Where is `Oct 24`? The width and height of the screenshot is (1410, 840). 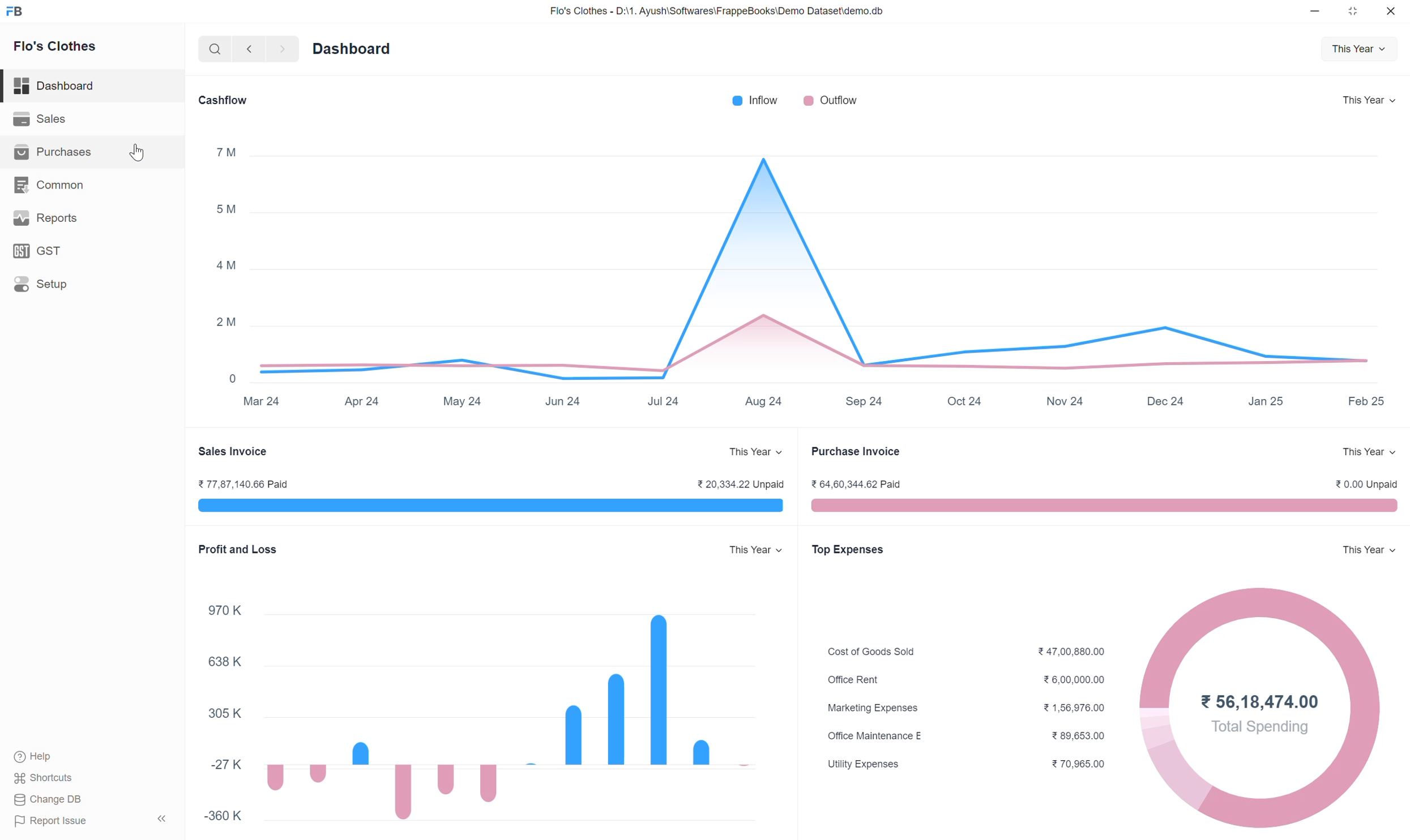 Oct 24 is located at coordinates (964, 401).